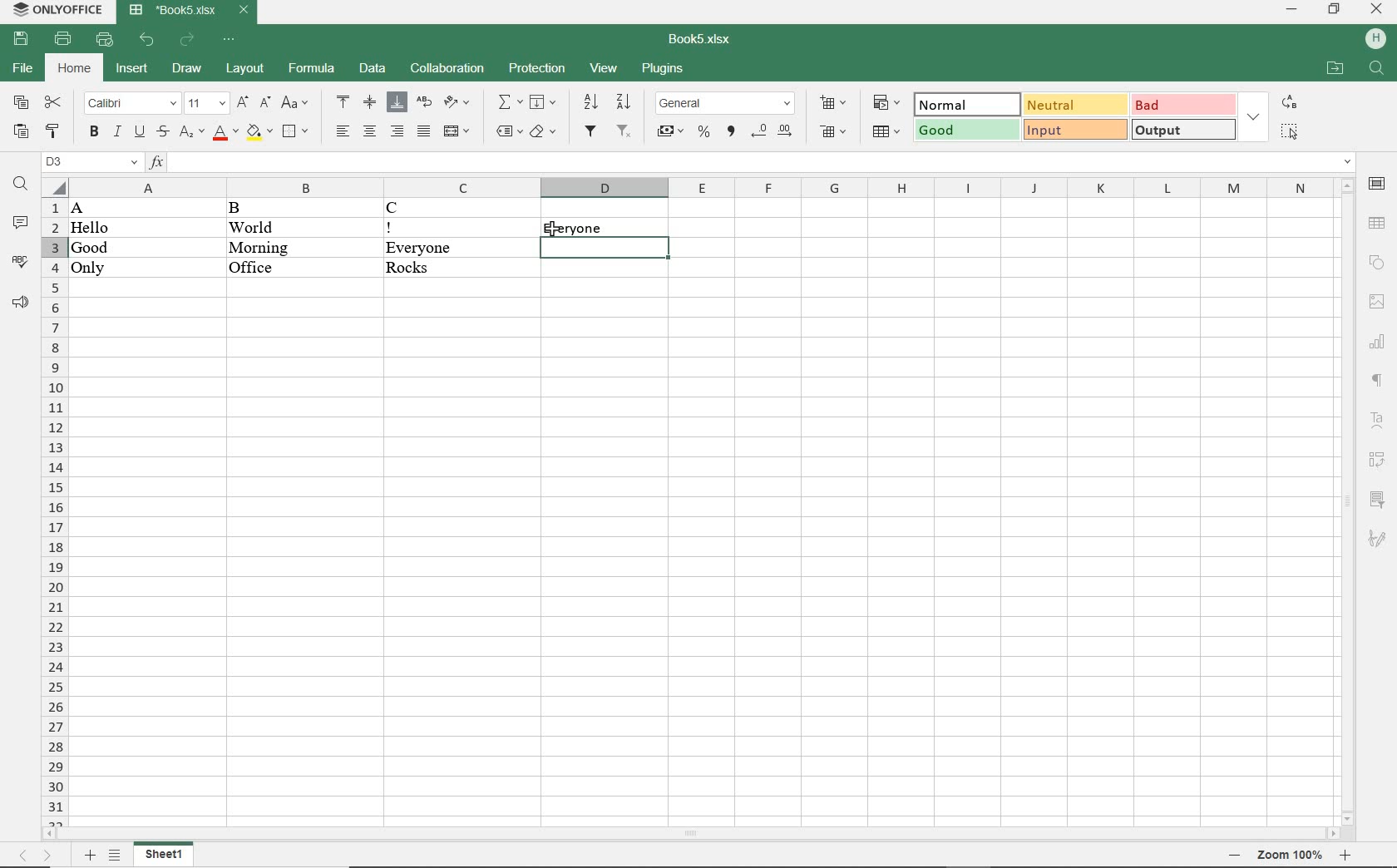  I want to click on image, so click(1376, 301).